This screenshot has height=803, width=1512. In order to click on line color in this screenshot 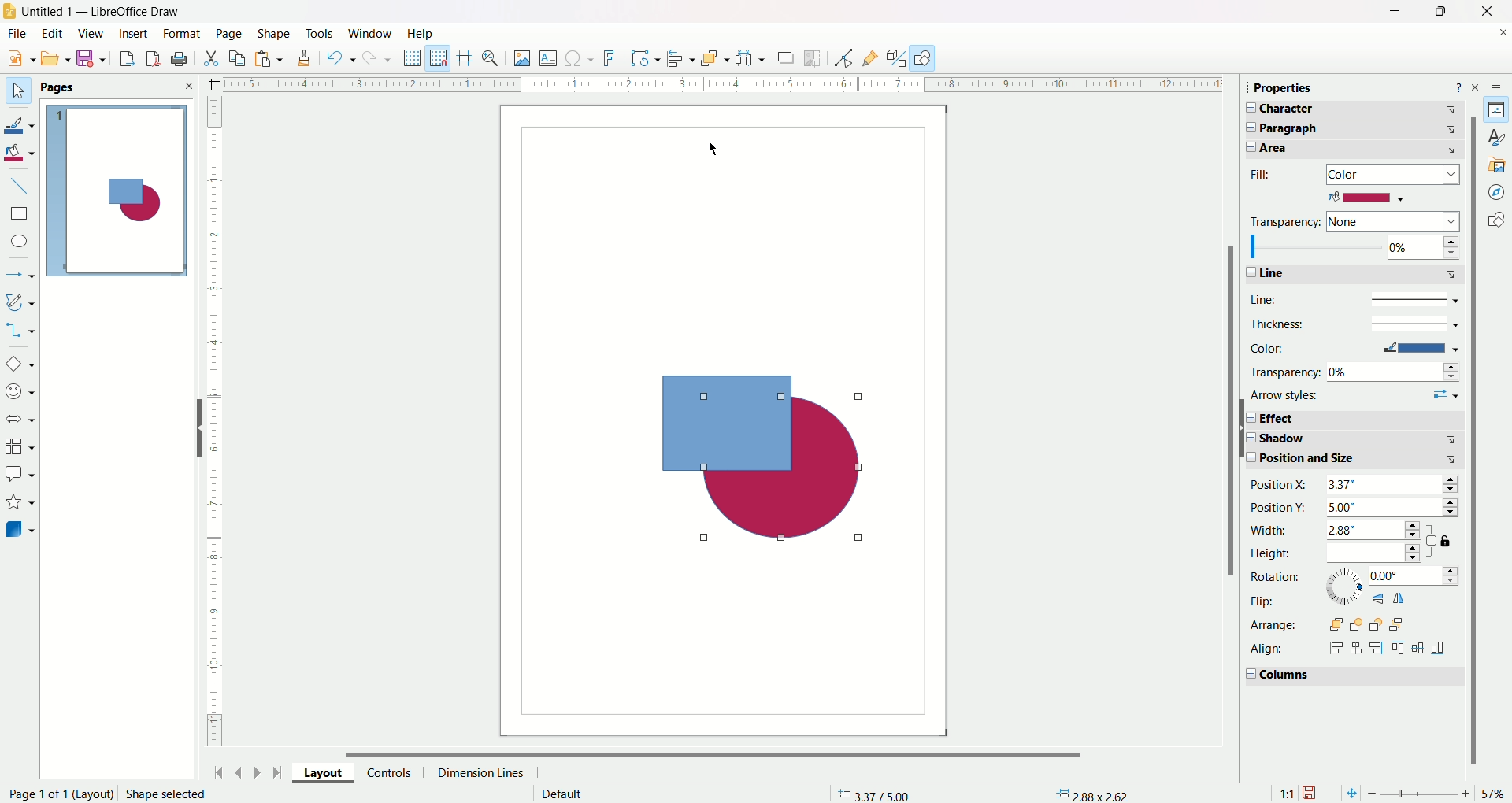, I will do `click(24, 121)`.